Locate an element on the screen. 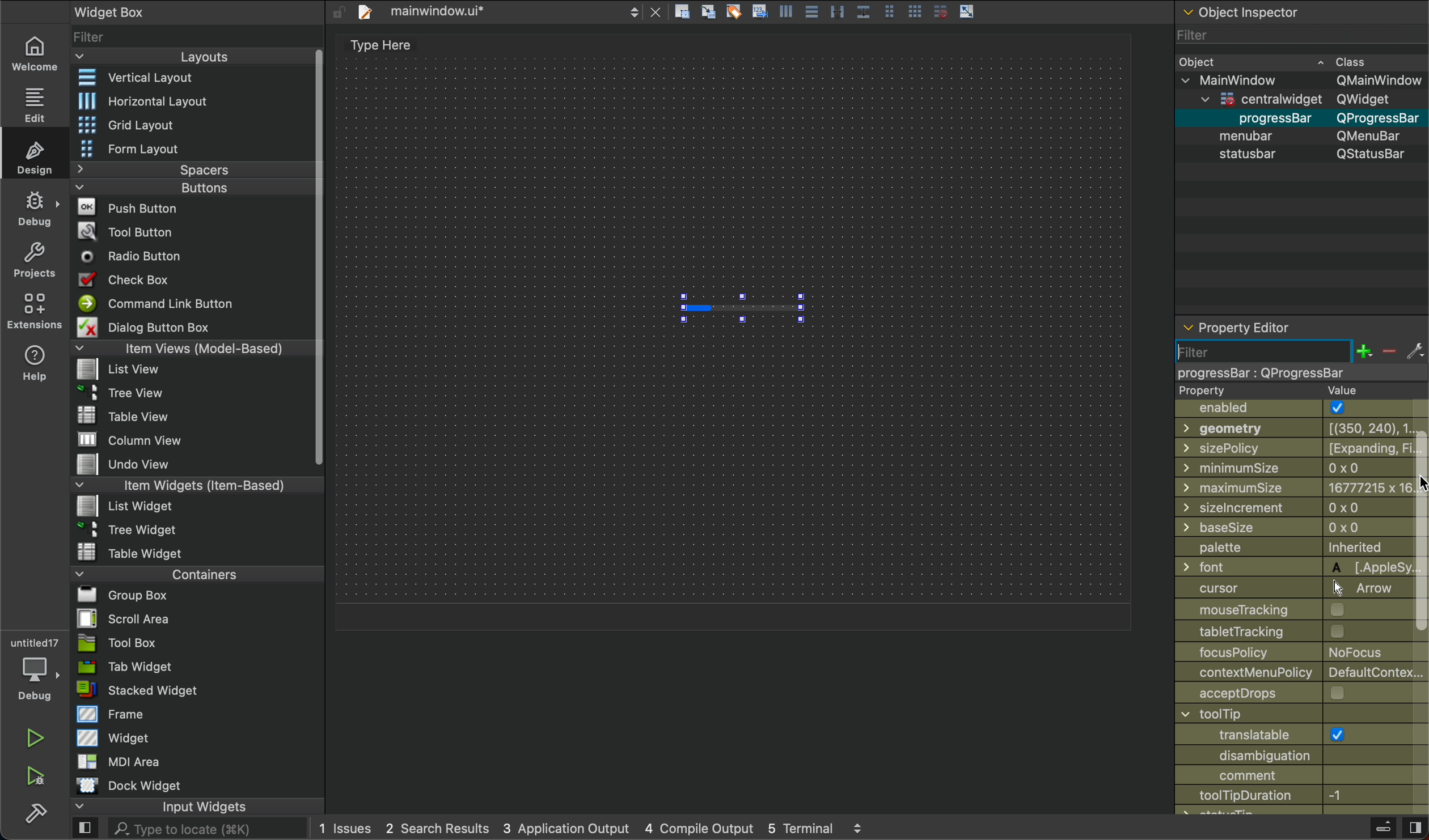 This screenshot has width=1429, height=840. debug is located at coordinates (36, 209).